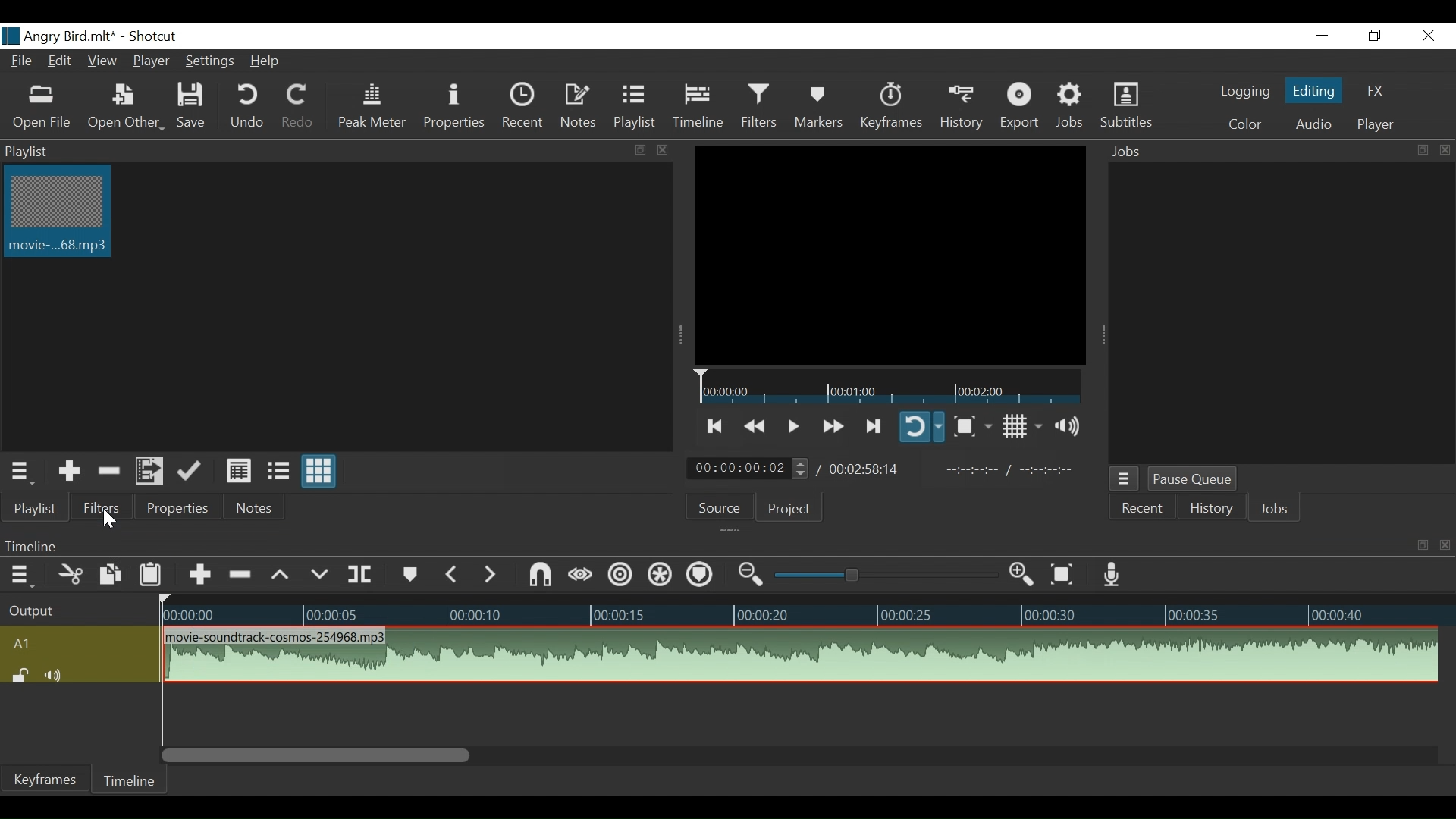  What do you see at coordinates (24, 63) in the screenshot?
I see `File` at bounding box center [24, 63].